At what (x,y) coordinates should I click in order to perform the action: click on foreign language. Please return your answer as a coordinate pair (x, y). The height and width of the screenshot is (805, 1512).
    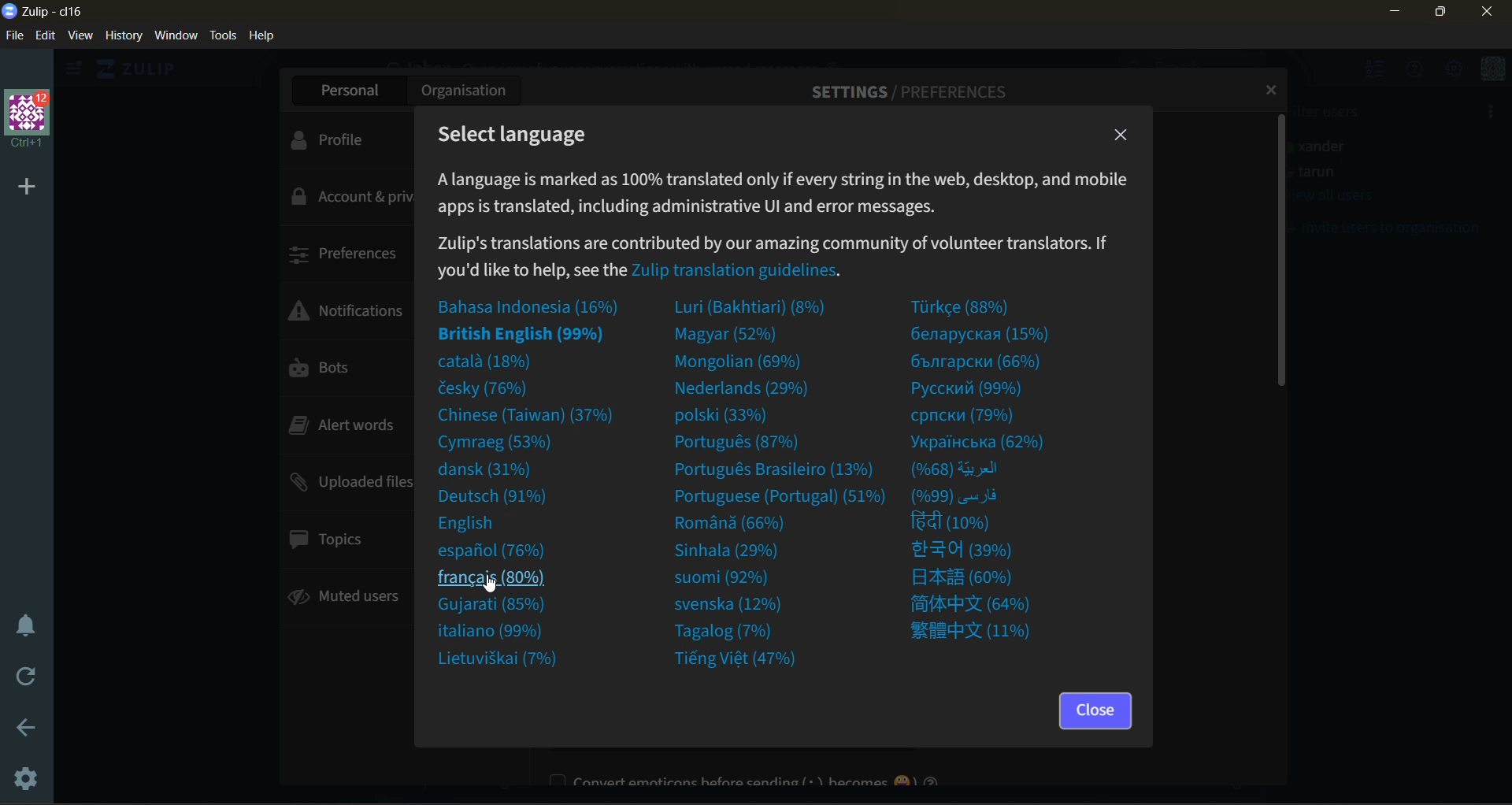
    Looking at the image, I should click on (969, 551).